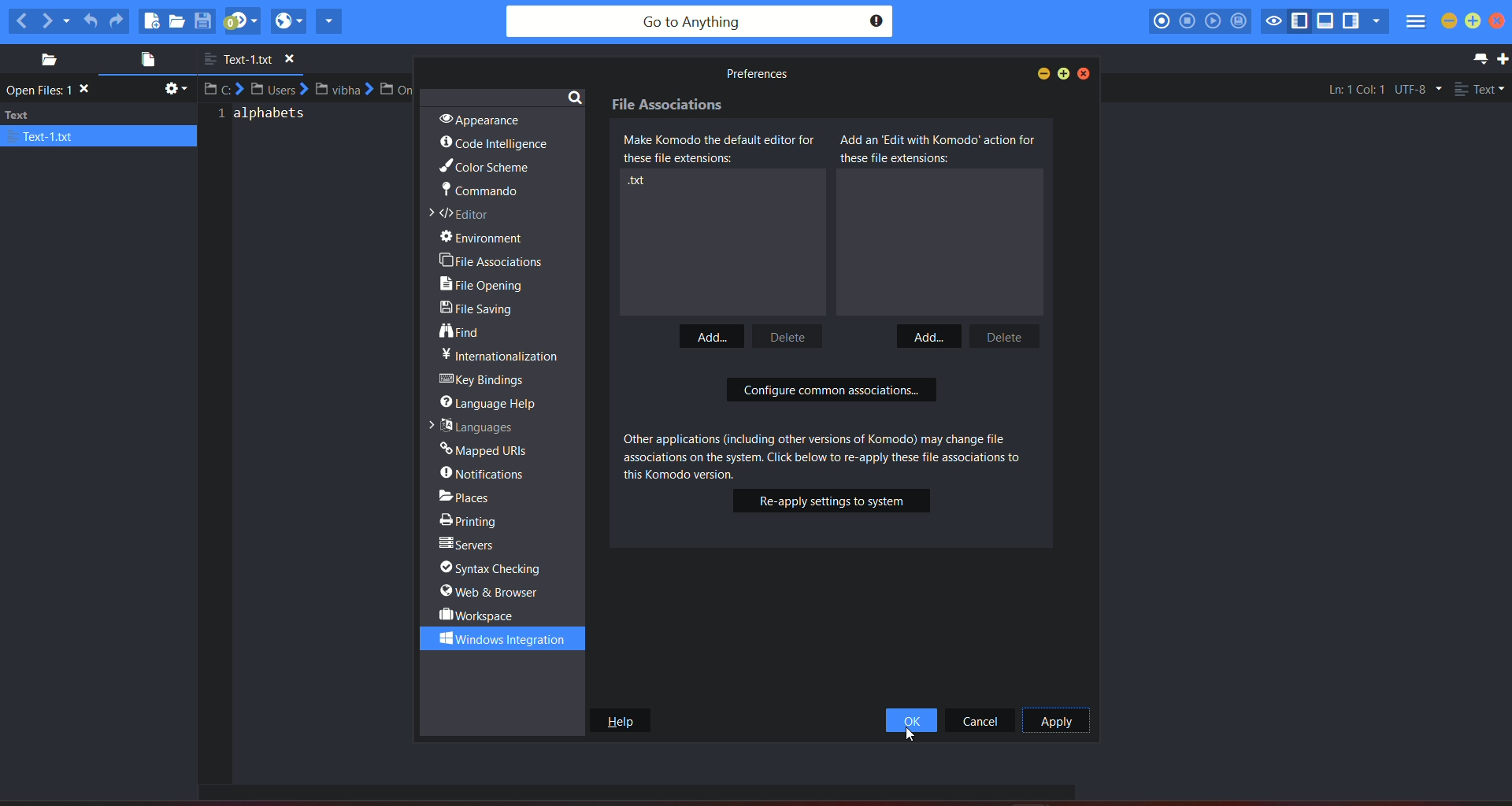  I want to click on previous, so click(20, 20).